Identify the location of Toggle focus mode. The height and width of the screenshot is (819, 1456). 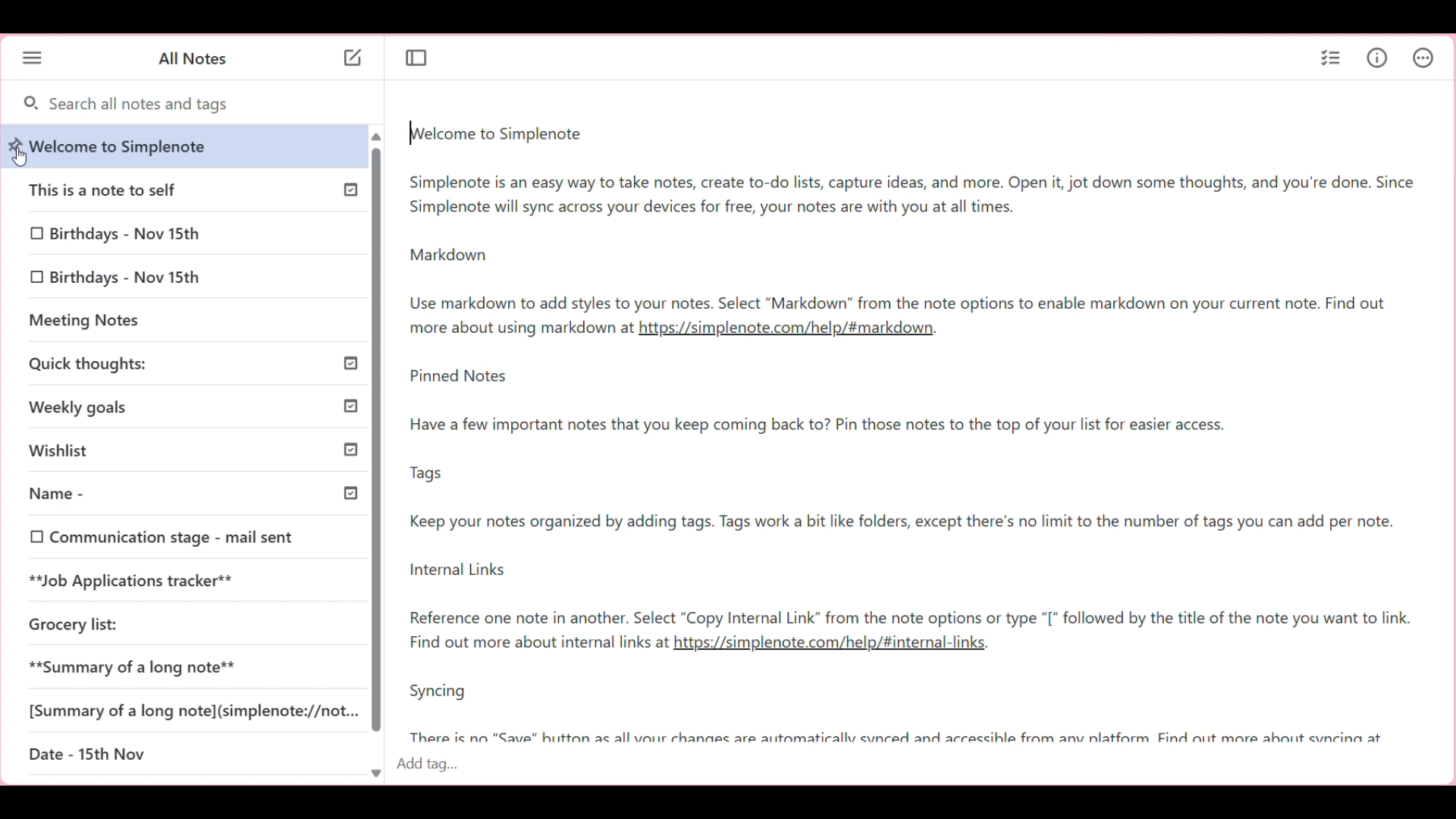
(416, 58).